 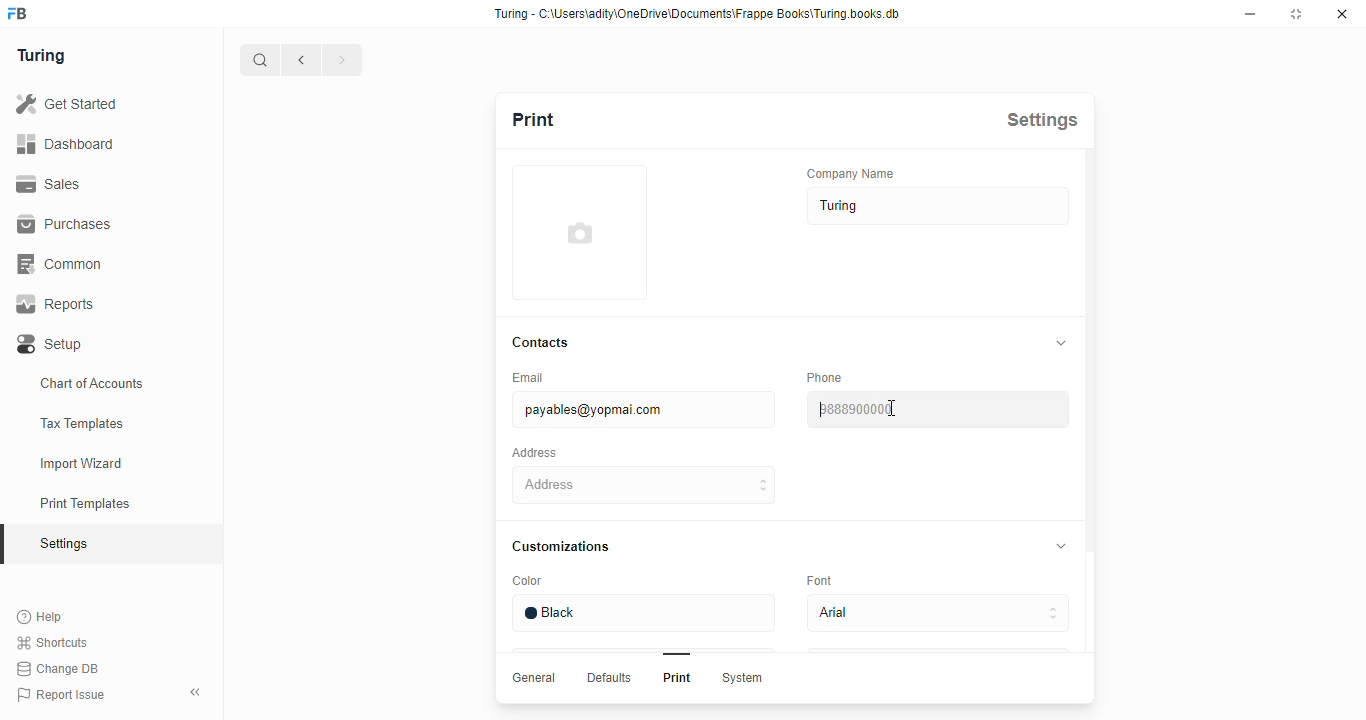 What do you see at coordinates (1345, 16) in the screenshot?
I see `close` at bounding box center [1345, 16].